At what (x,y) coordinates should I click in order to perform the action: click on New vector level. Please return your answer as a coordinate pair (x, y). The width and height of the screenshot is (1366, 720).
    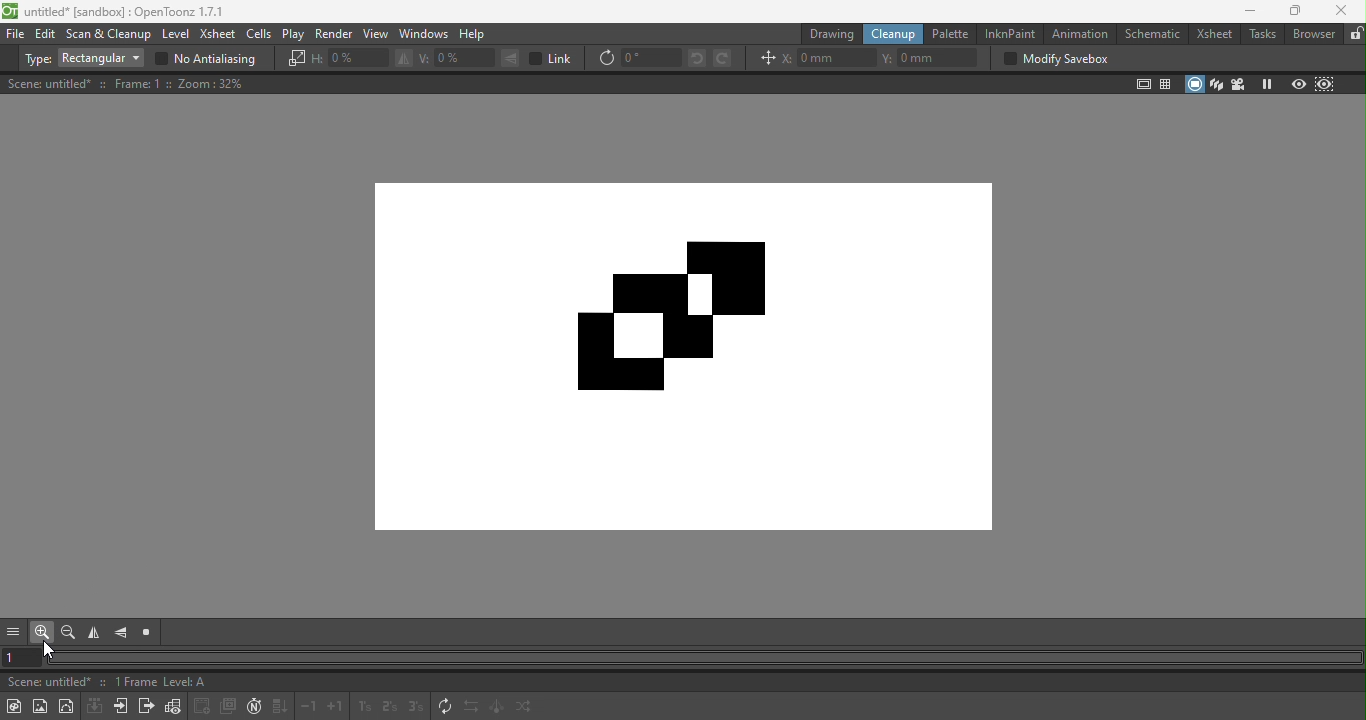
    Looking at the image, I should click on (68, 705).